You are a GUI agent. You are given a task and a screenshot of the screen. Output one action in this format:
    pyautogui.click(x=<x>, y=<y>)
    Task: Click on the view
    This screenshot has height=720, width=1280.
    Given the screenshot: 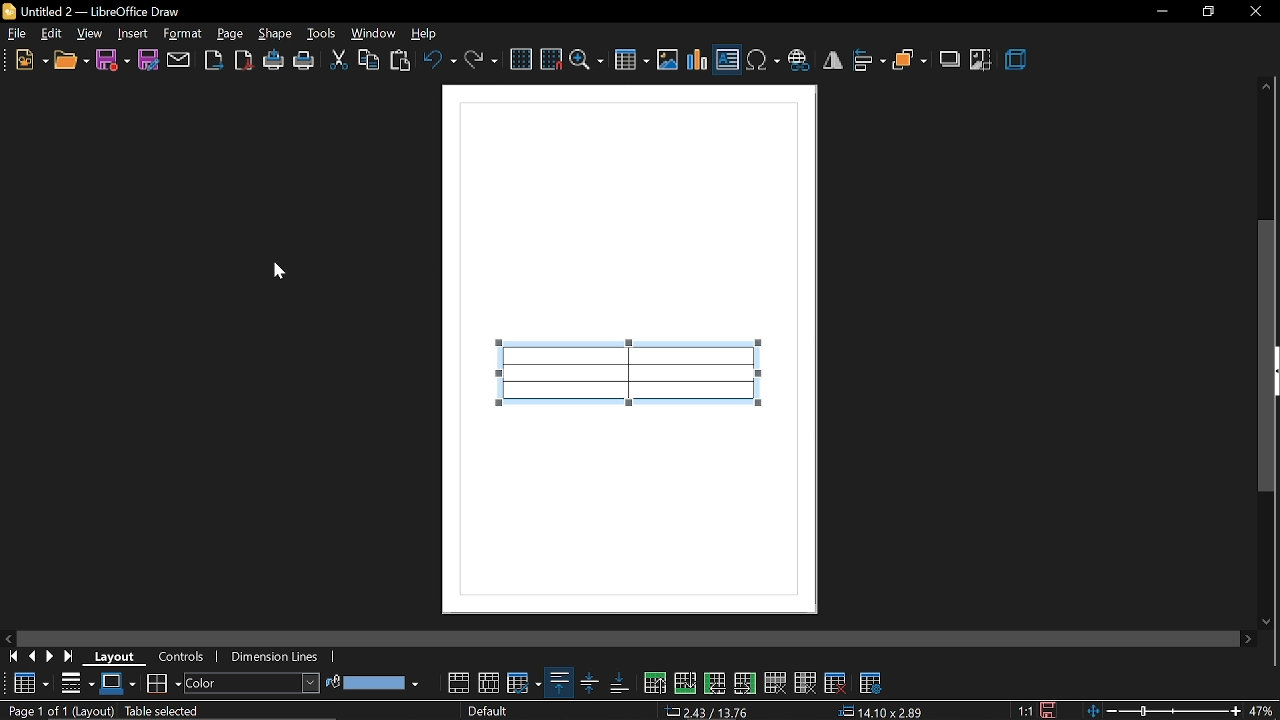 What is the action you would take?
    pyautogui.click(x=89, y=33)
    